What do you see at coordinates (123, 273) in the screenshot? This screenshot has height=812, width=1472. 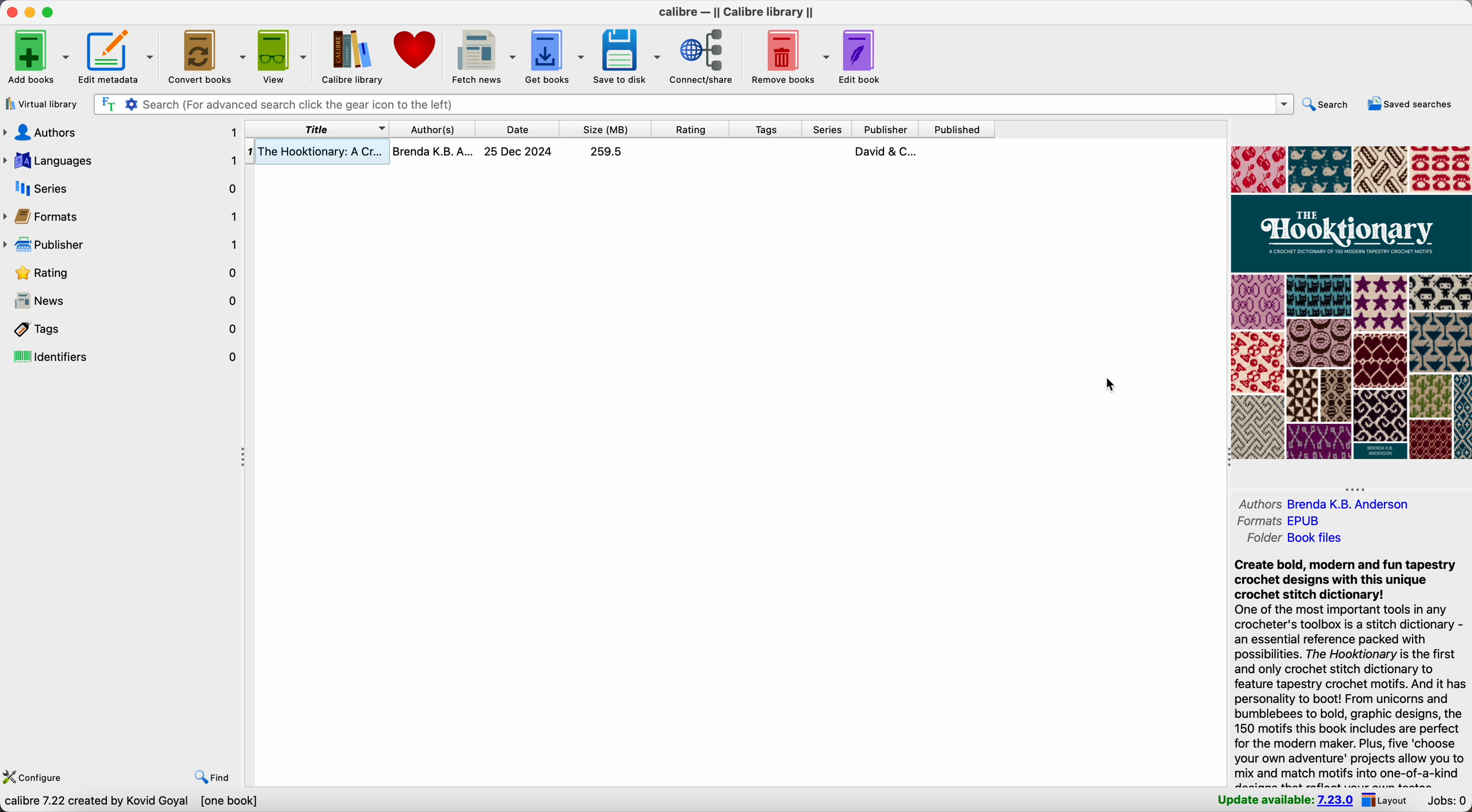 I see `rating` at bounding box center [123, 273].